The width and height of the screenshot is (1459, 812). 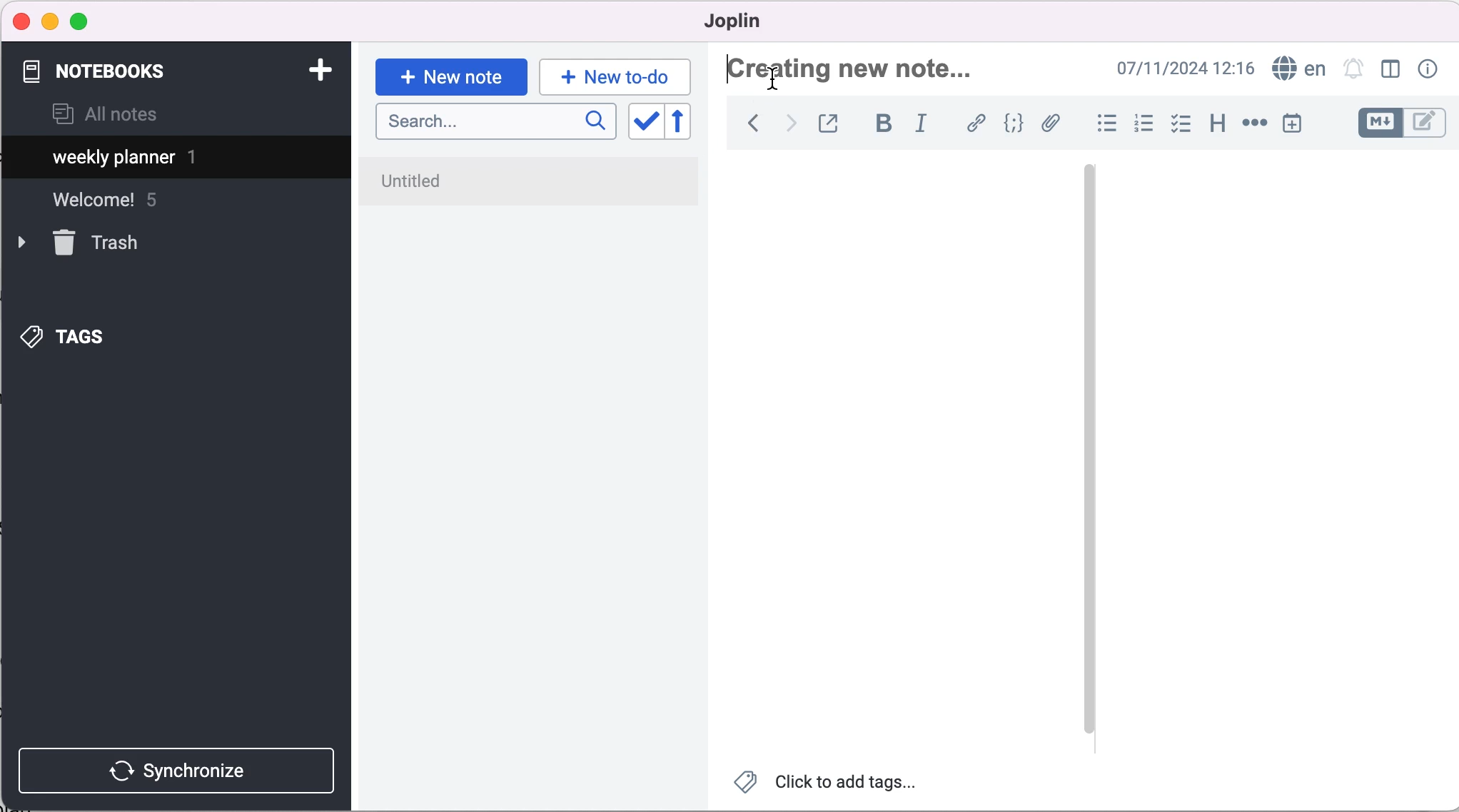 What do you see at coordinates (1402, 125) in the screenshot?
I see `toggle editors` at bounding box center [1402, 125].